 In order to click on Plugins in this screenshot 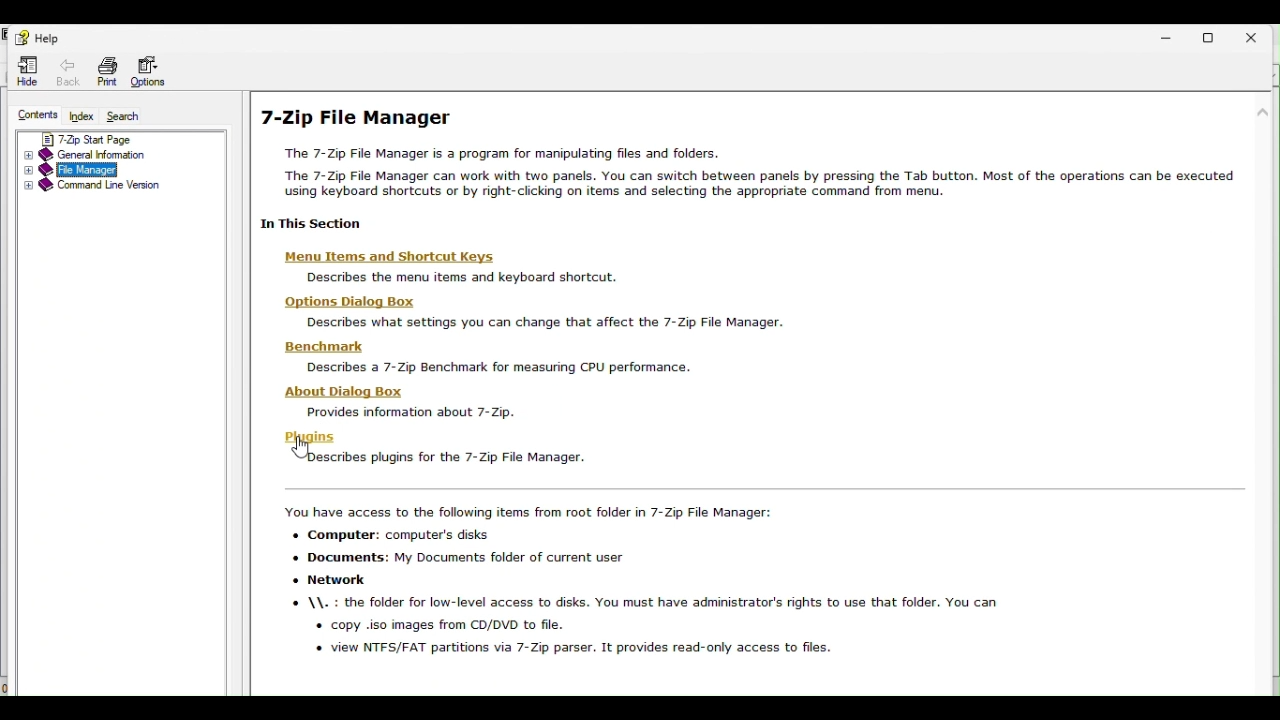, I will do `click(310, 437)`.